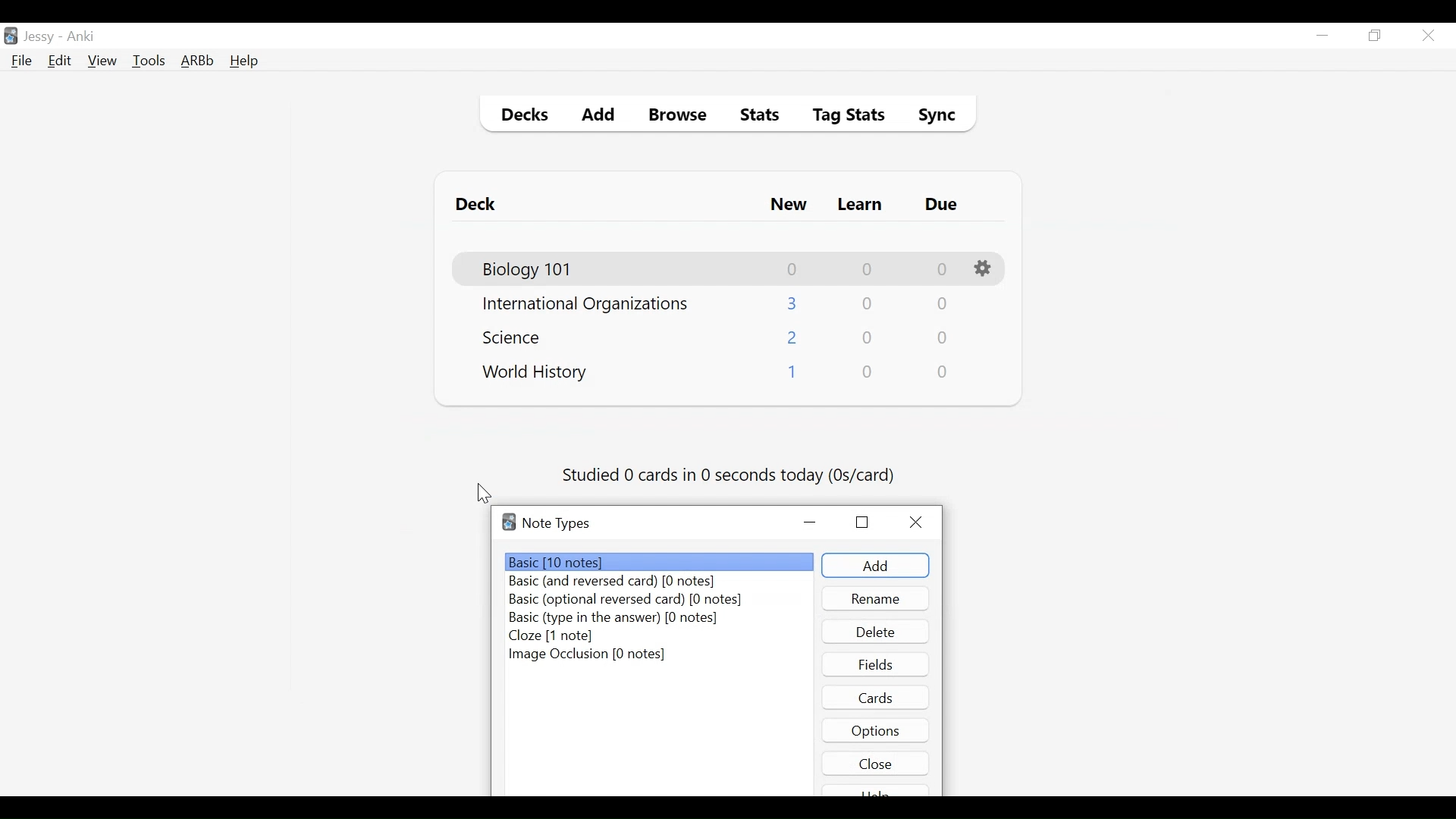 This screenshot has width=1456, height=819. Describe the element at coordinates (516, 337) in the screenshot. I see `Deck Name` at that location.